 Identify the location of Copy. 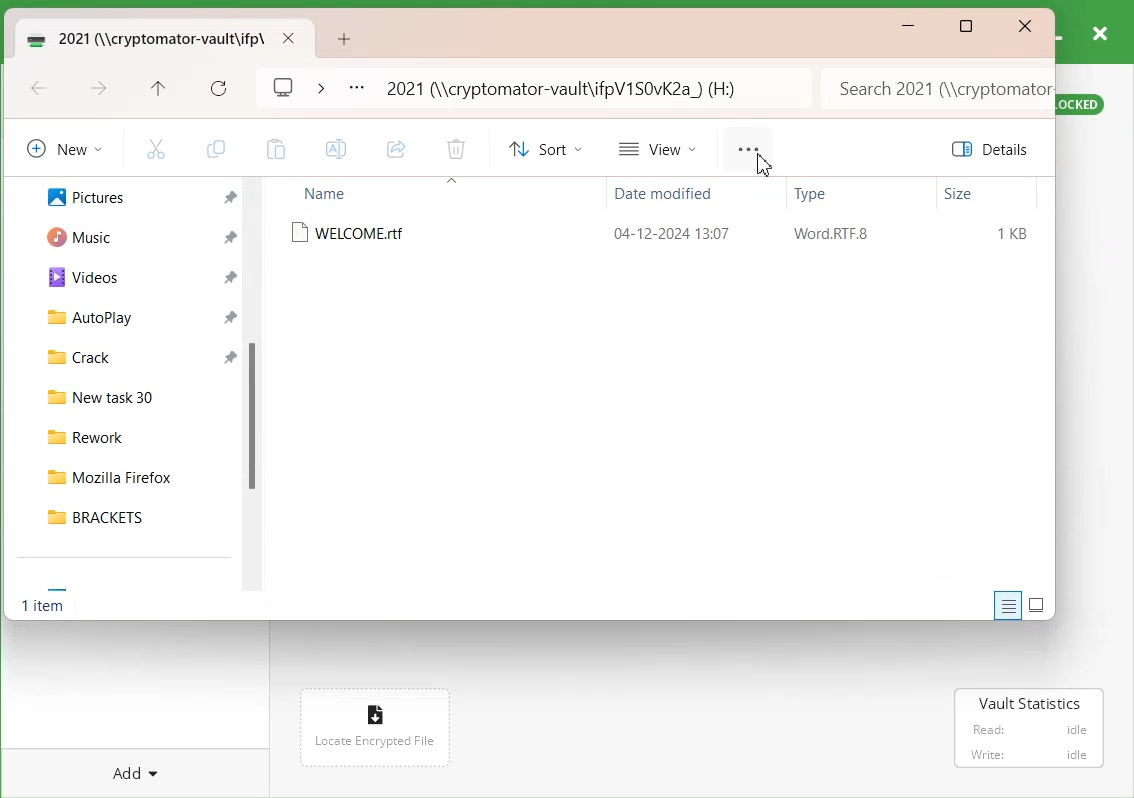
(215, 149).